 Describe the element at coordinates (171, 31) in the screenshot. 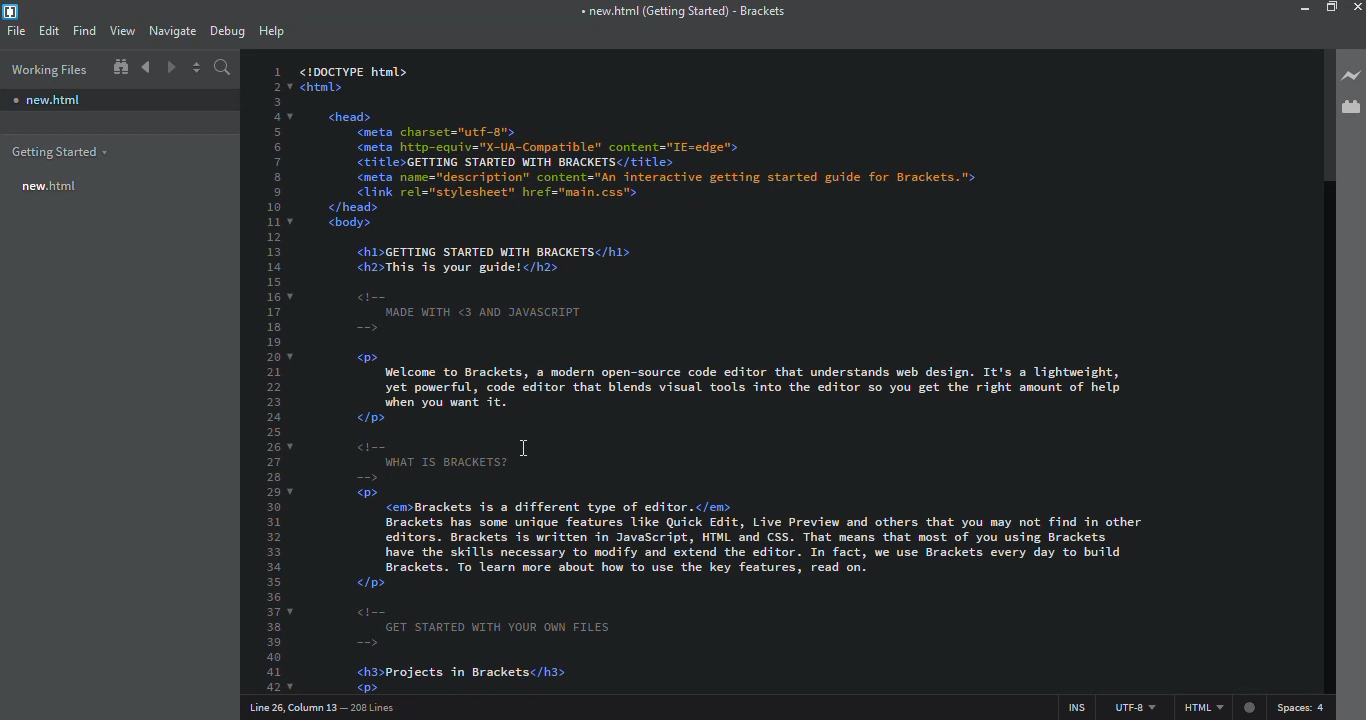

I see `navigate` at that location.